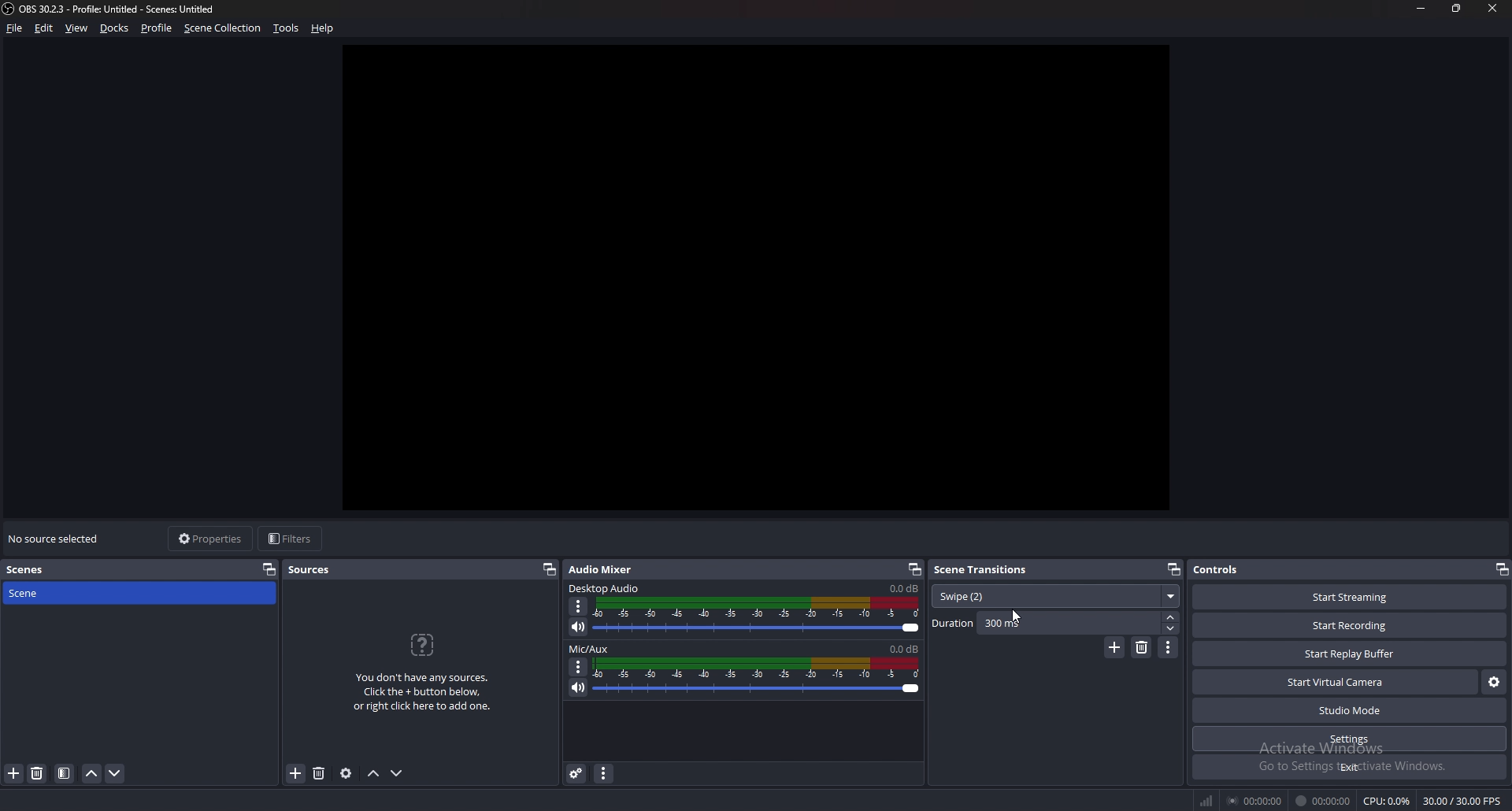 This screenshot has height=811, width=1512. I want to click on pop out, so click(269, 568).